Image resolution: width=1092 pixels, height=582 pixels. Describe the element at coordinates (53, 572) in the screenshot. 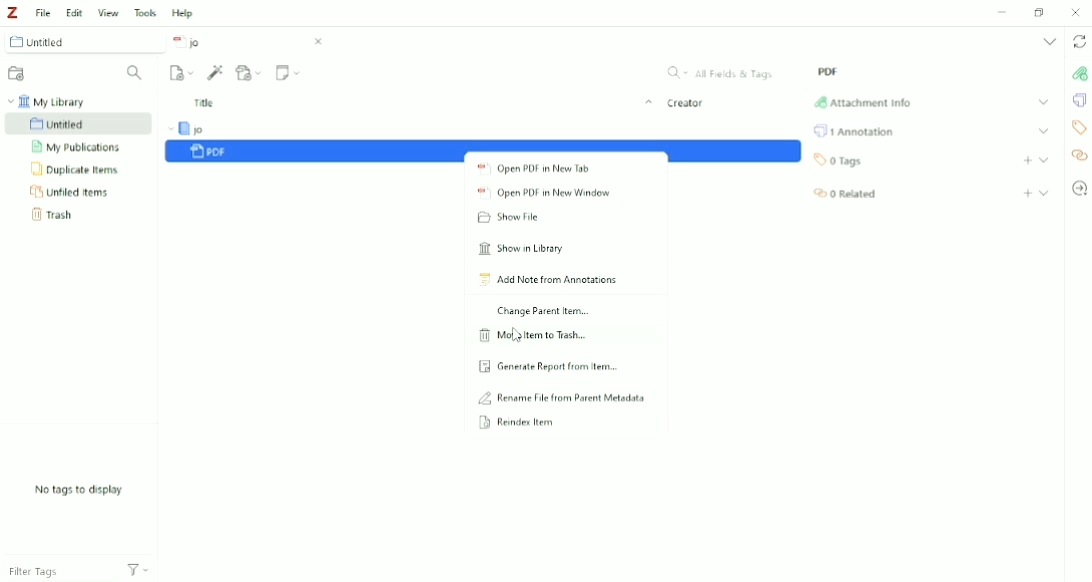

I see `Filter Tags` at that location.